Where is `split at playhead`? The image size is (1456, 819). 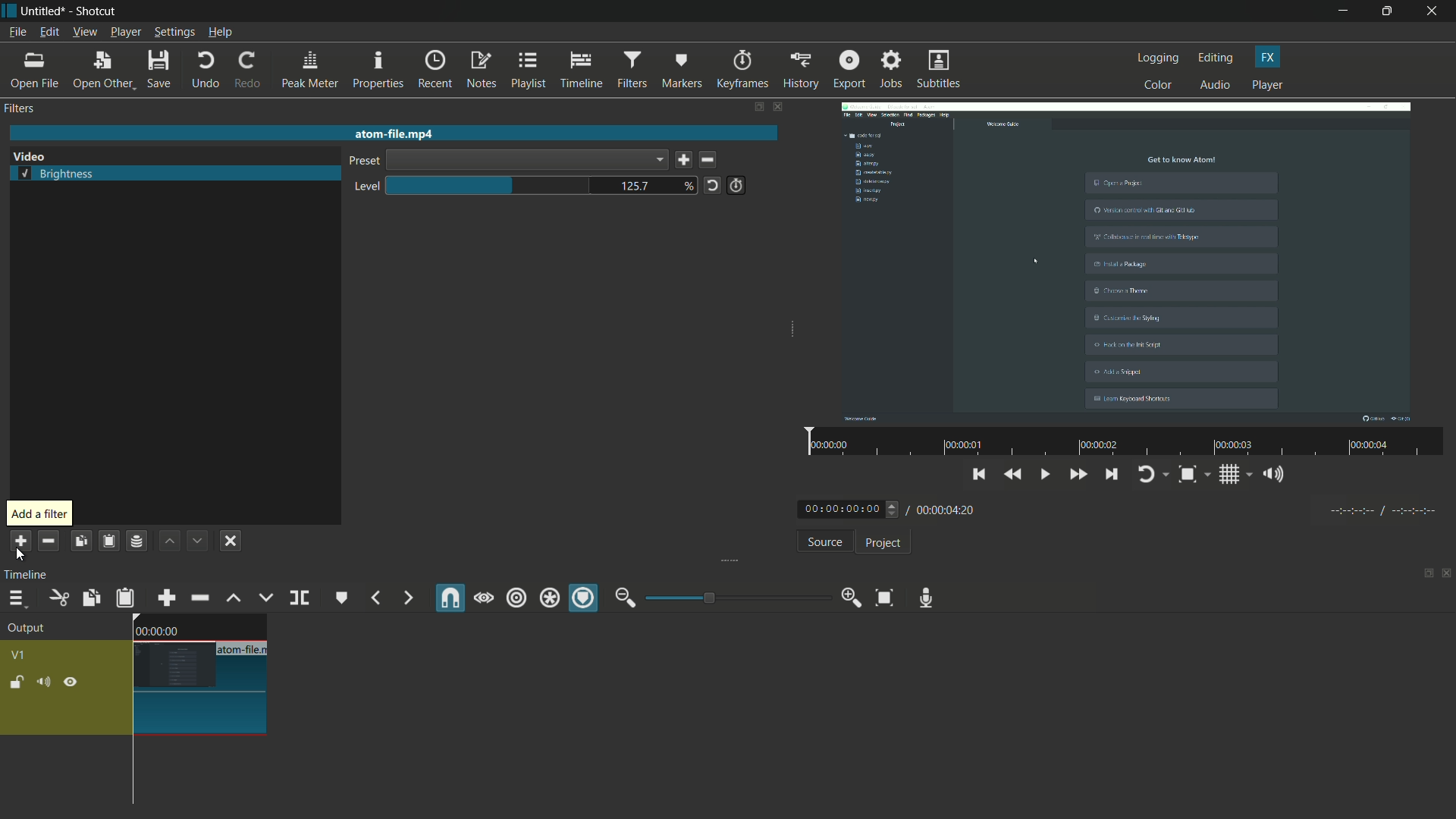
split at playhead is located at coordinates (301, 599).